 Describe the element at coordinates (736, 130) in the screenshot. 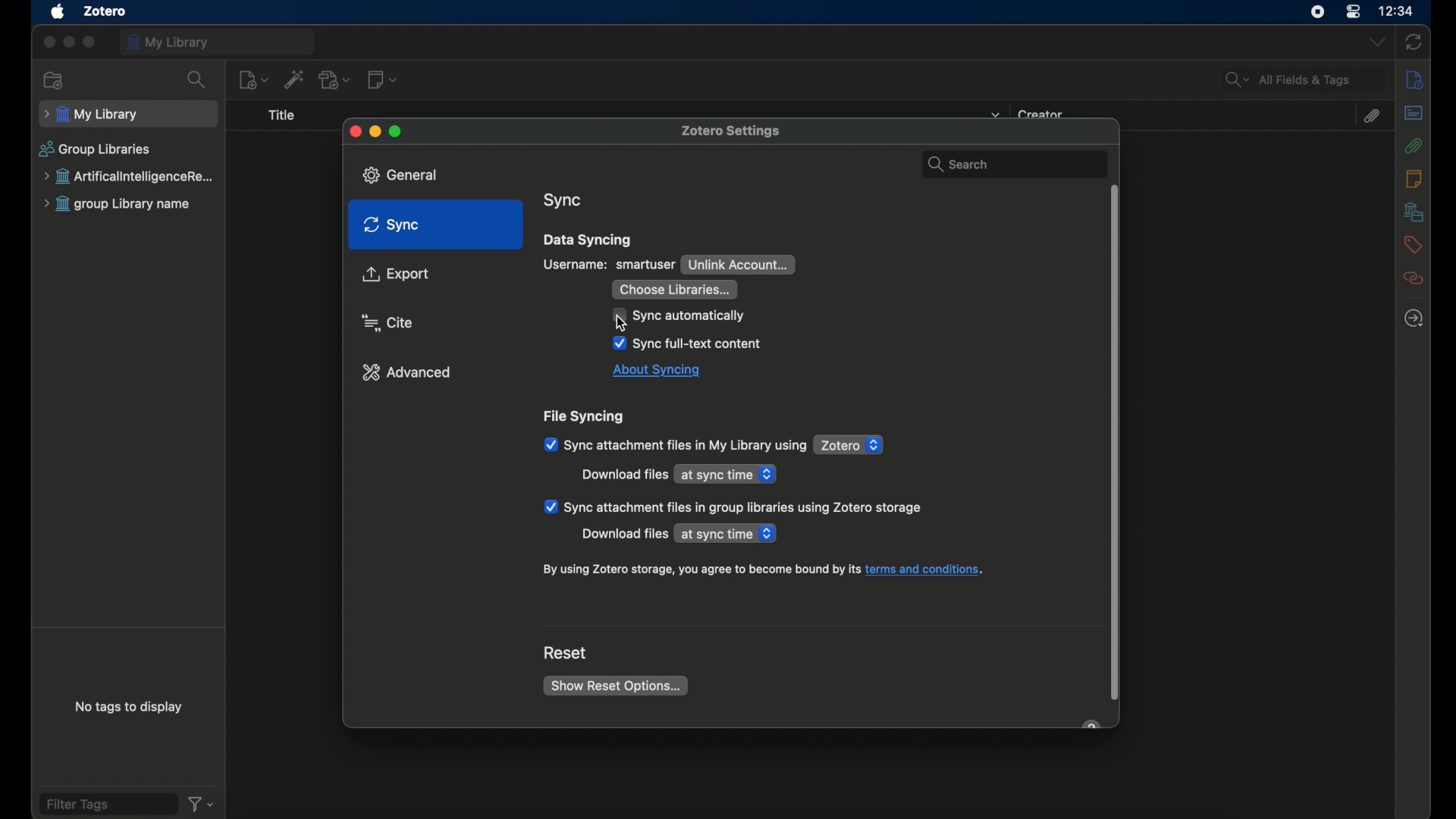

I see `zotero settings` at that location.